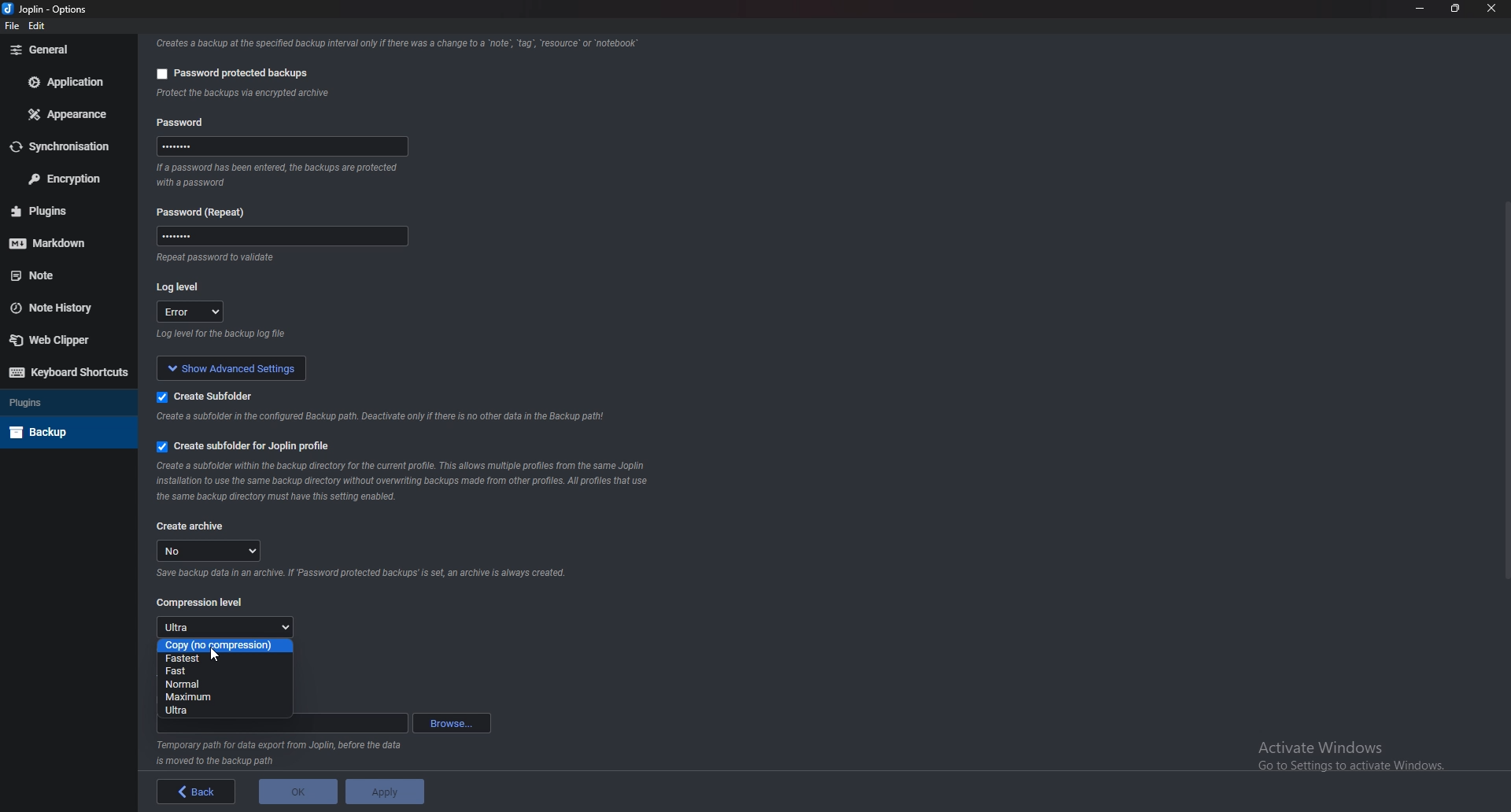 The height and width of the screenshot is (812, 1511). Describe the element at coordinates (192, 313) in the screenshot. I see `error` at that location.